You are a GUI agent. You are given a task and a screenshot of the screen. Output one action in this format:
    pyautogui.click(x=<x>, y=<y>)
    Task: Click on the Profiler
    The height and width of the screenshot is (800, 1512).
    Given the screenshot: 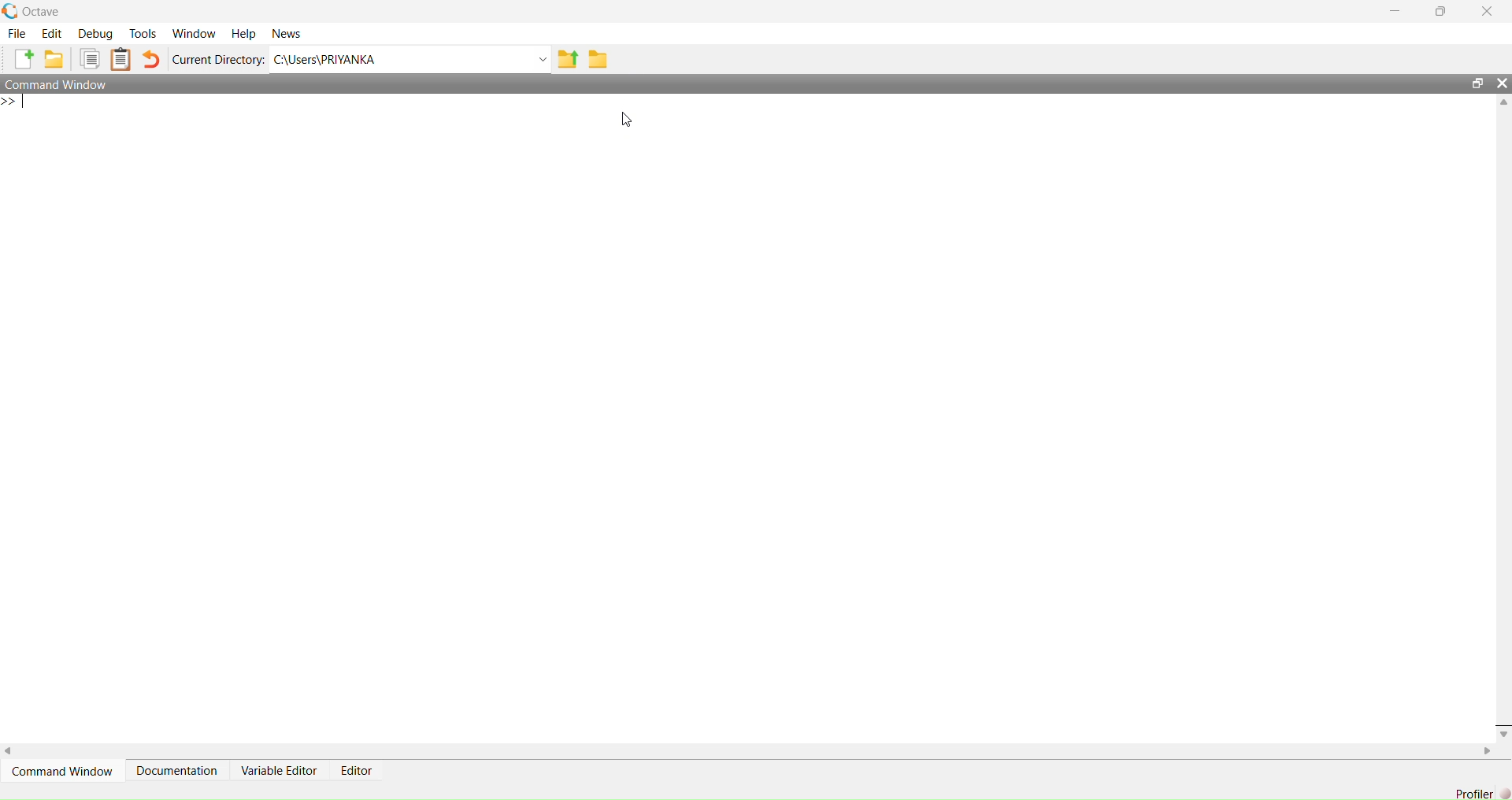 What is the action you would take?
    pyautogui.click(x=1473, y=788)
    